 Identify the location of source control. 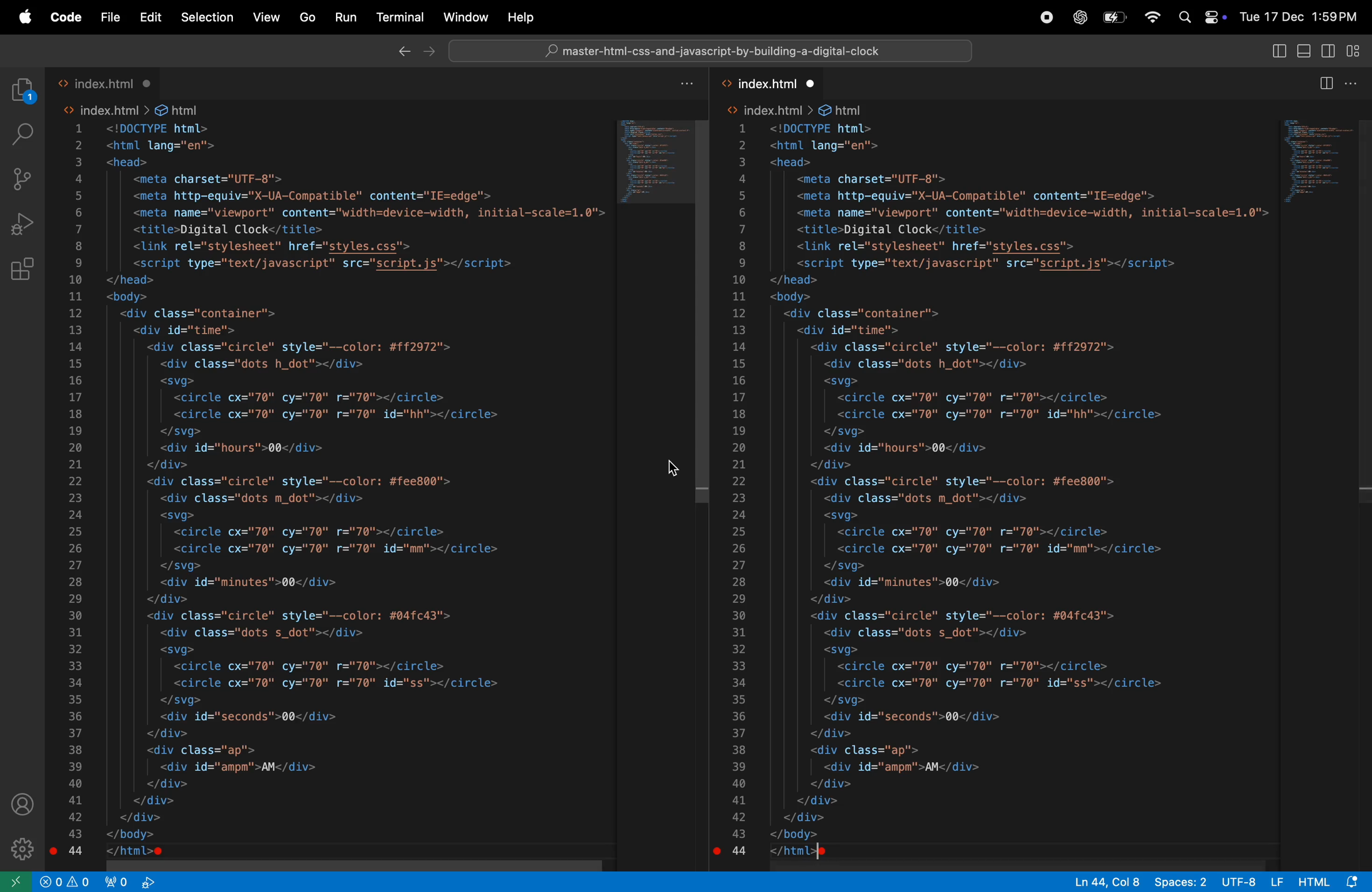
(22, 177).